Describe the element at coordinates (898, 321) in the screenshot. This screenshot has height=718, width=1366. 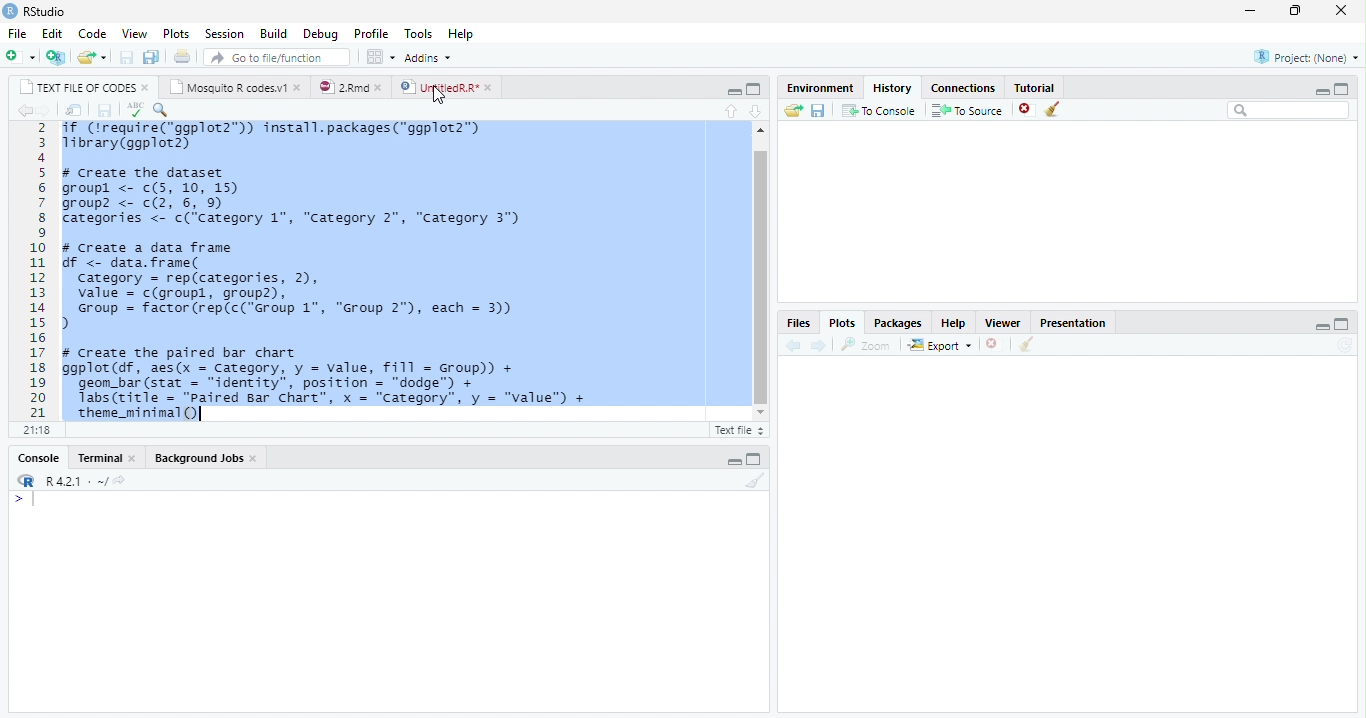
I see `packages` at that location.